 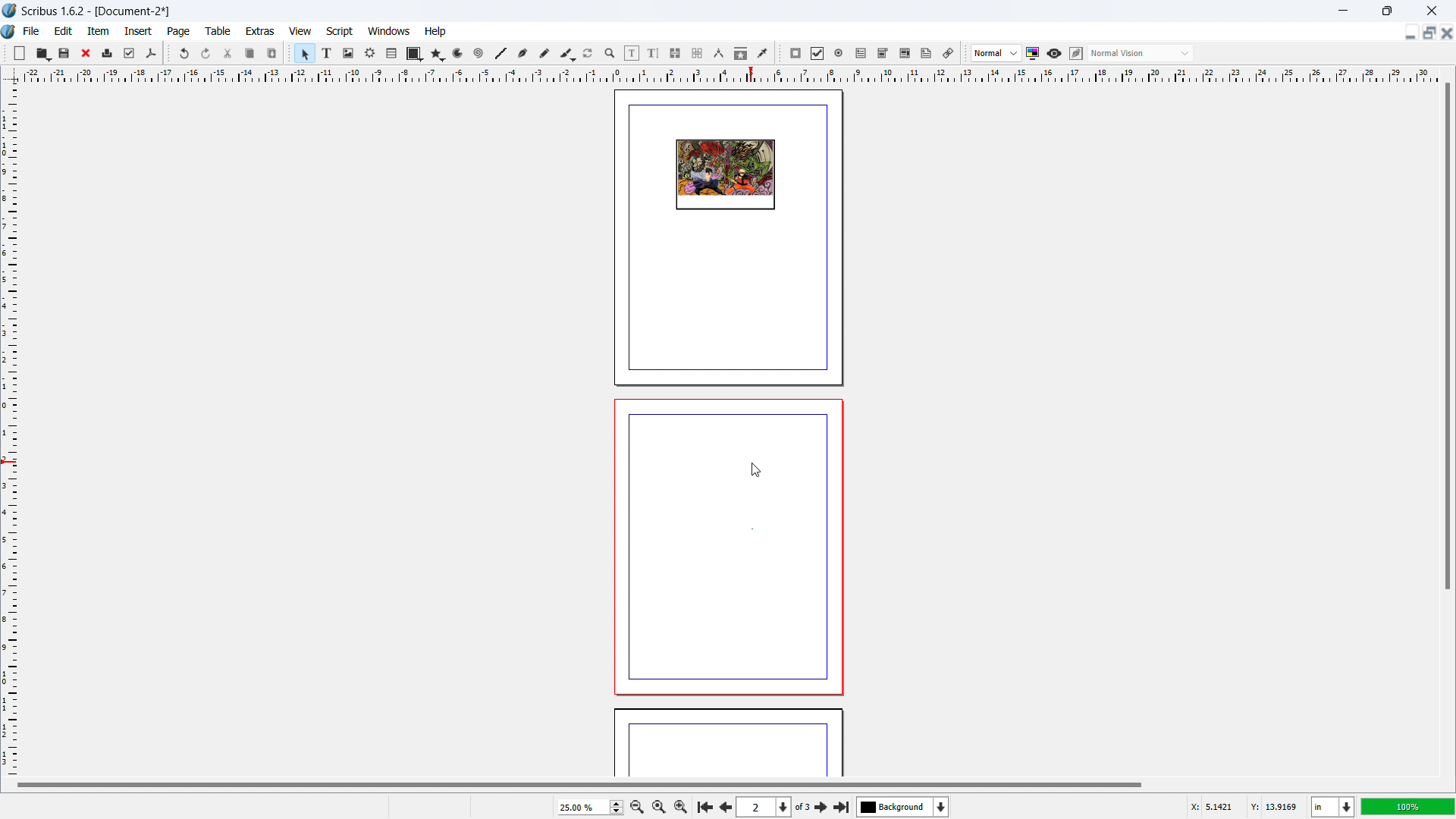 I want to click on move toolbox, so click(x=290, y=52).